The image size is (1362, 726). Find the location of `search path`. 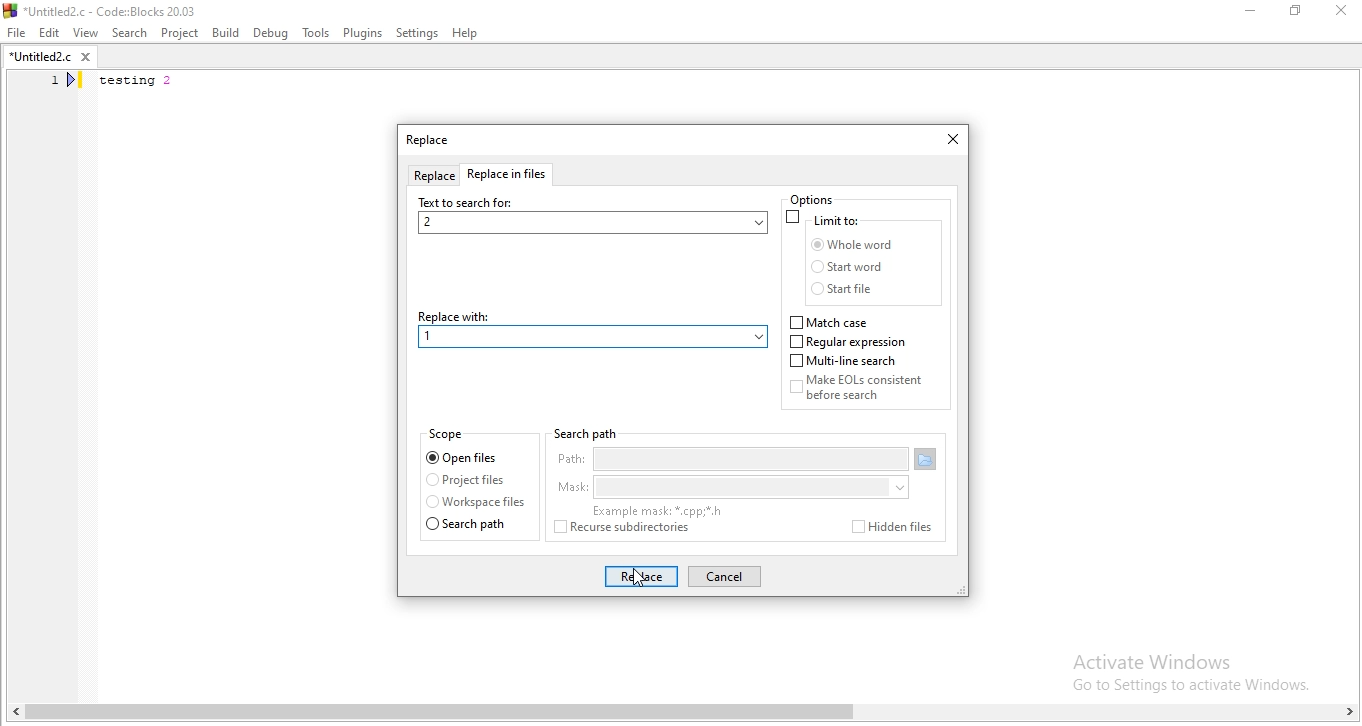

search path is located at coordinates (474, 525).